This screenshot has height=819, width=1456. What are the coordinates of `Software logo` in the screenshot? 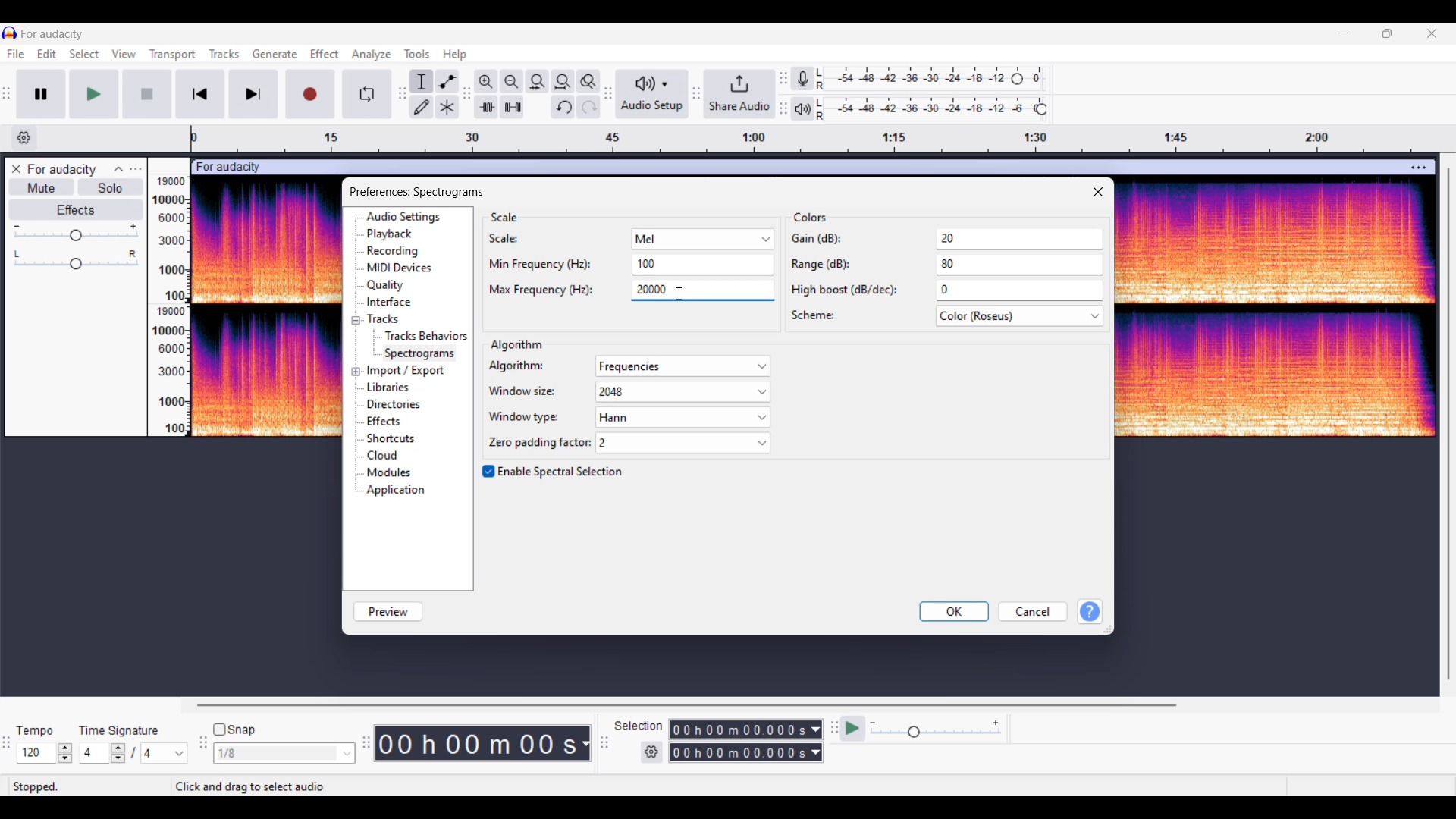 It's located at (10, 33).